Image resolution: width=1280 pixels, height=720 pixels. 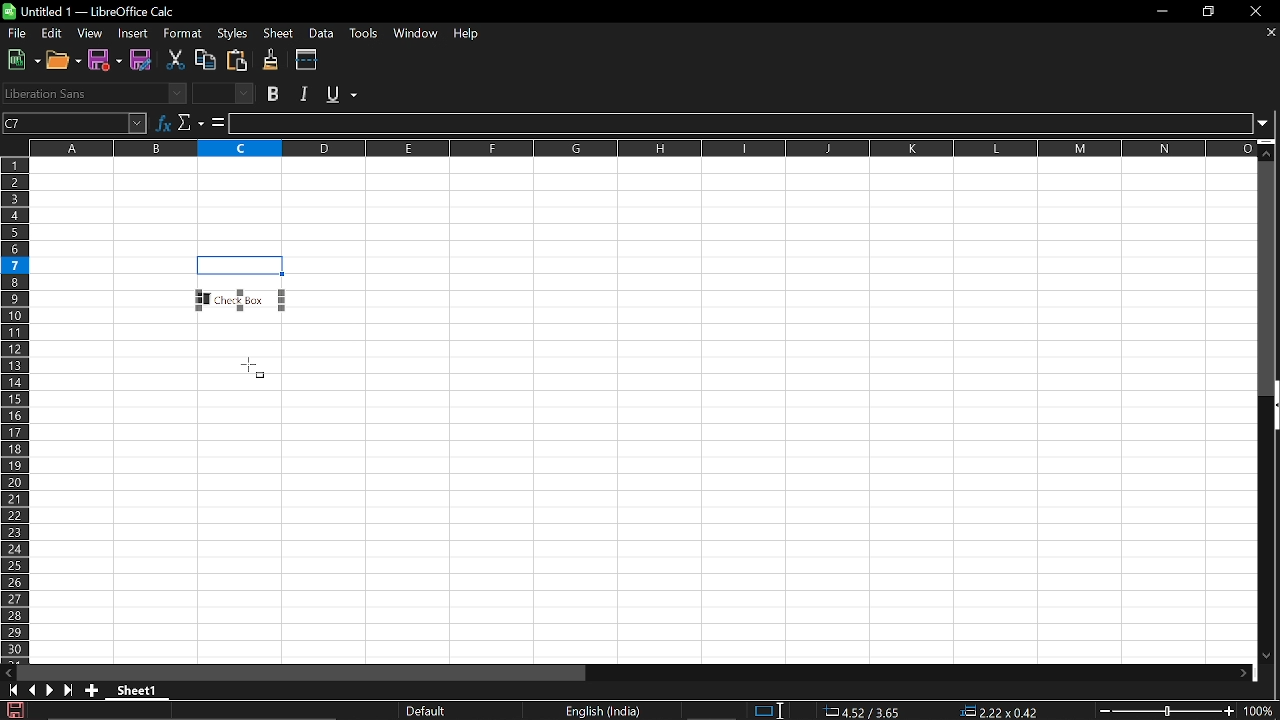 What do you see at coordinates (270, 60) in the screenshot?
I see `Clone formating` at bounding box center [270, 60].